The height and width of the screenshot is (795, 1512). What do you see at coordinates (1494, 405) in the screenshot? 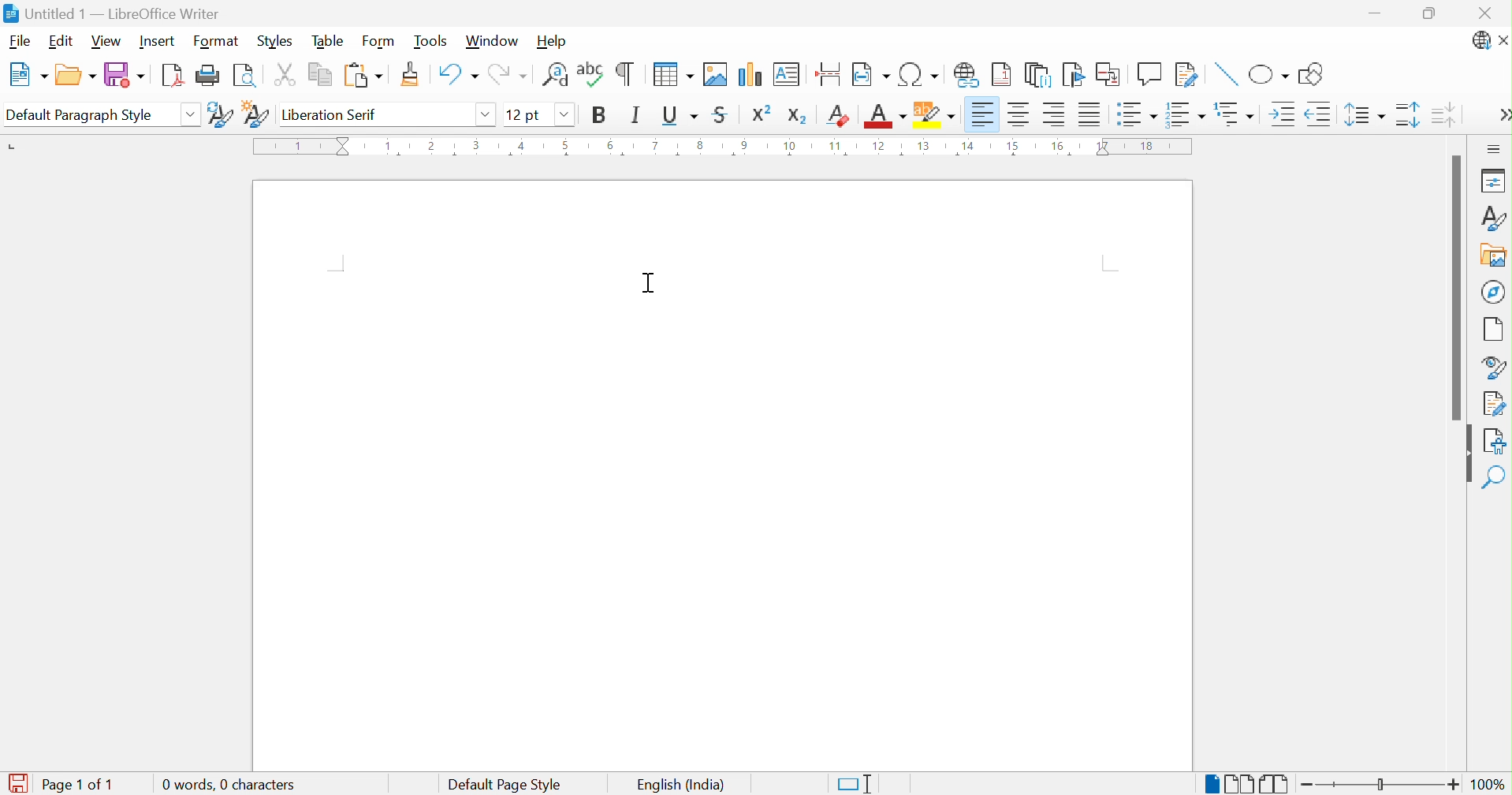
I see `Manage changes` at bounding box center [1494, 405].